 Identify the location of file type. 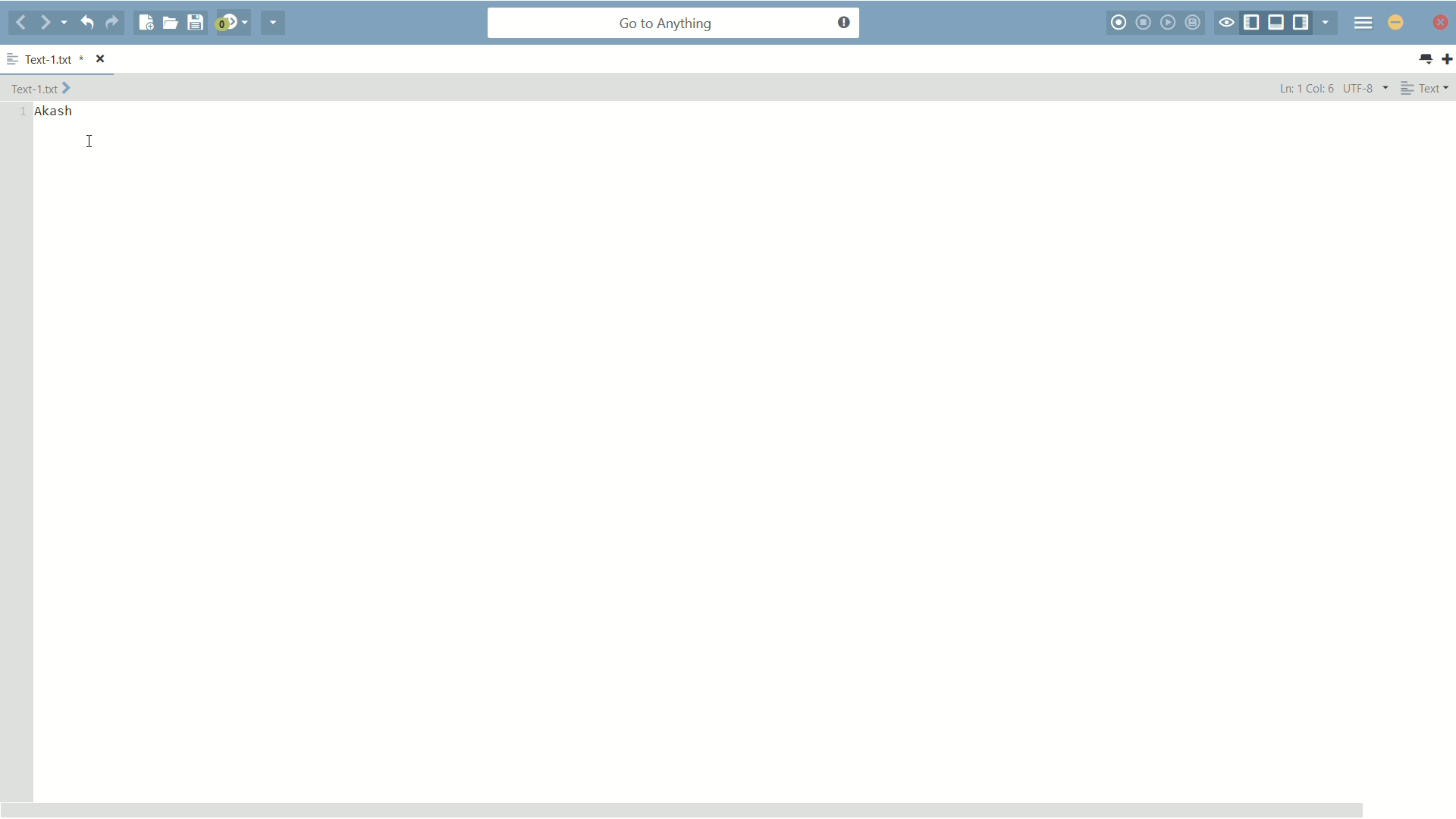
(1428, 89).